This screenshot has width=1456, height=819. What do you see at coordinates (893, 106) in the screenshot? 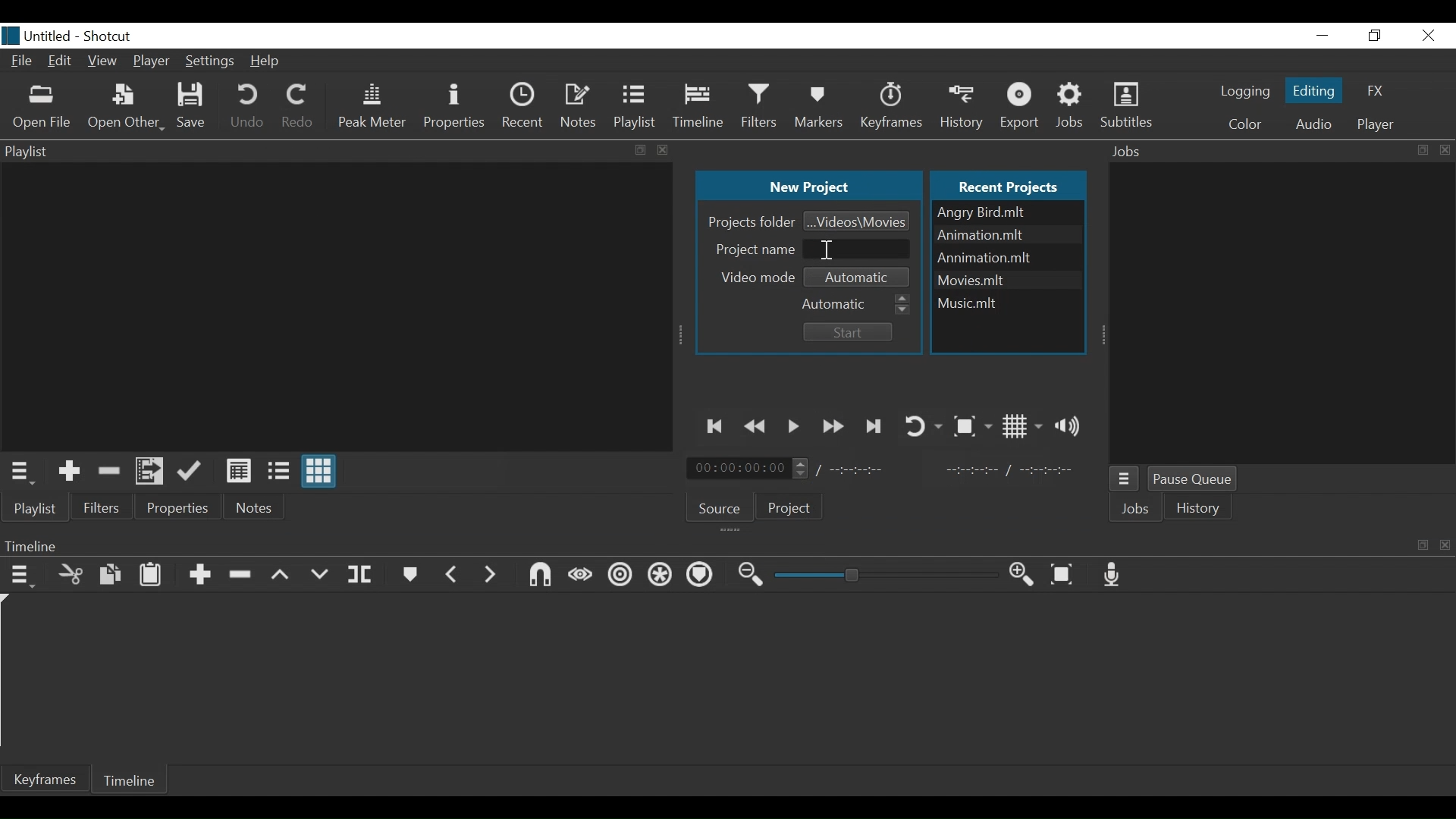
I see `Keyframe` at bounding box center [893, 106].